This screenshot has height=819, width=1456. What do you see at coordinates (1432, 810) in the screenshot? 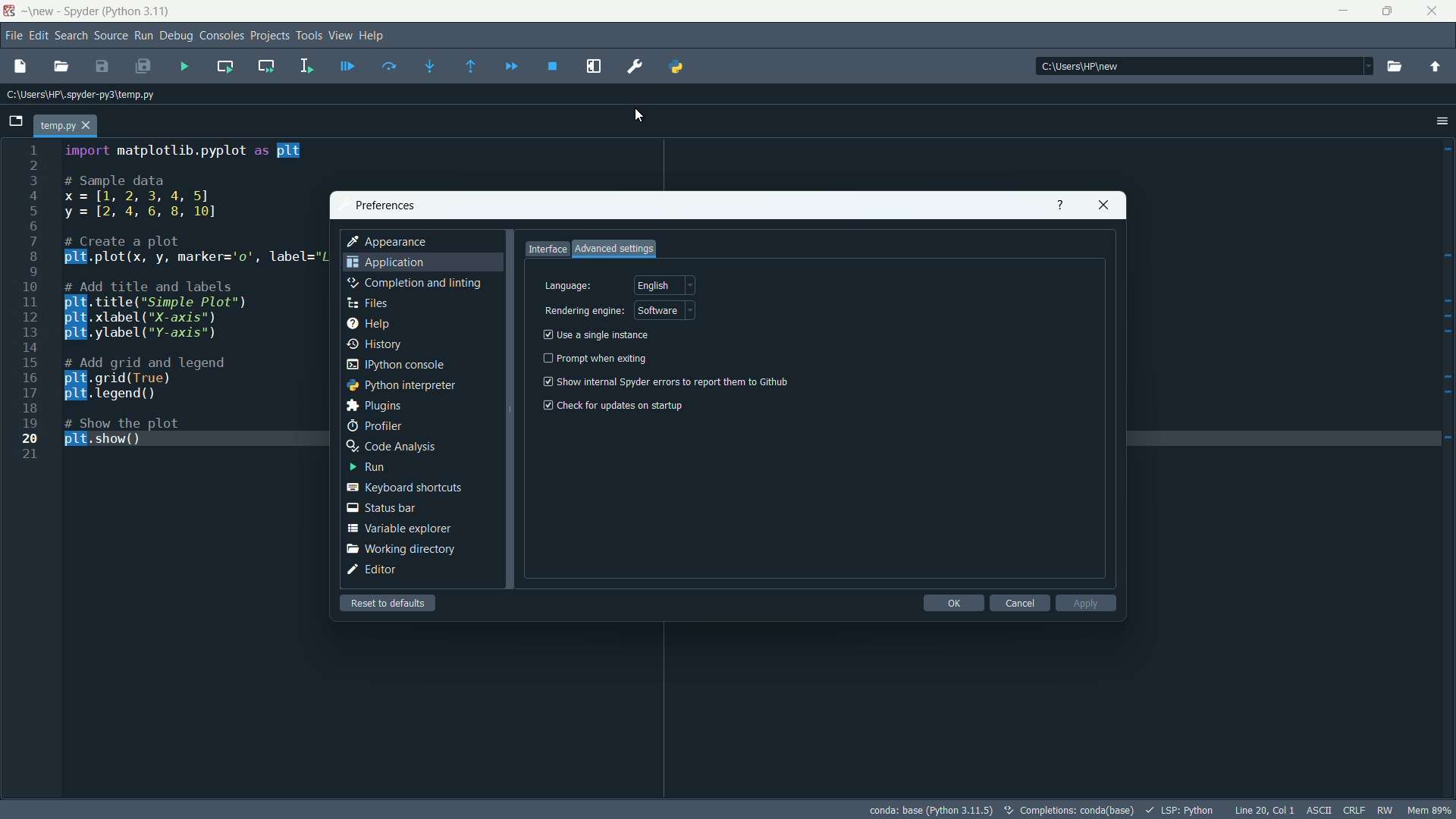
I see `memory usage` at bounding box center [1432, 810].